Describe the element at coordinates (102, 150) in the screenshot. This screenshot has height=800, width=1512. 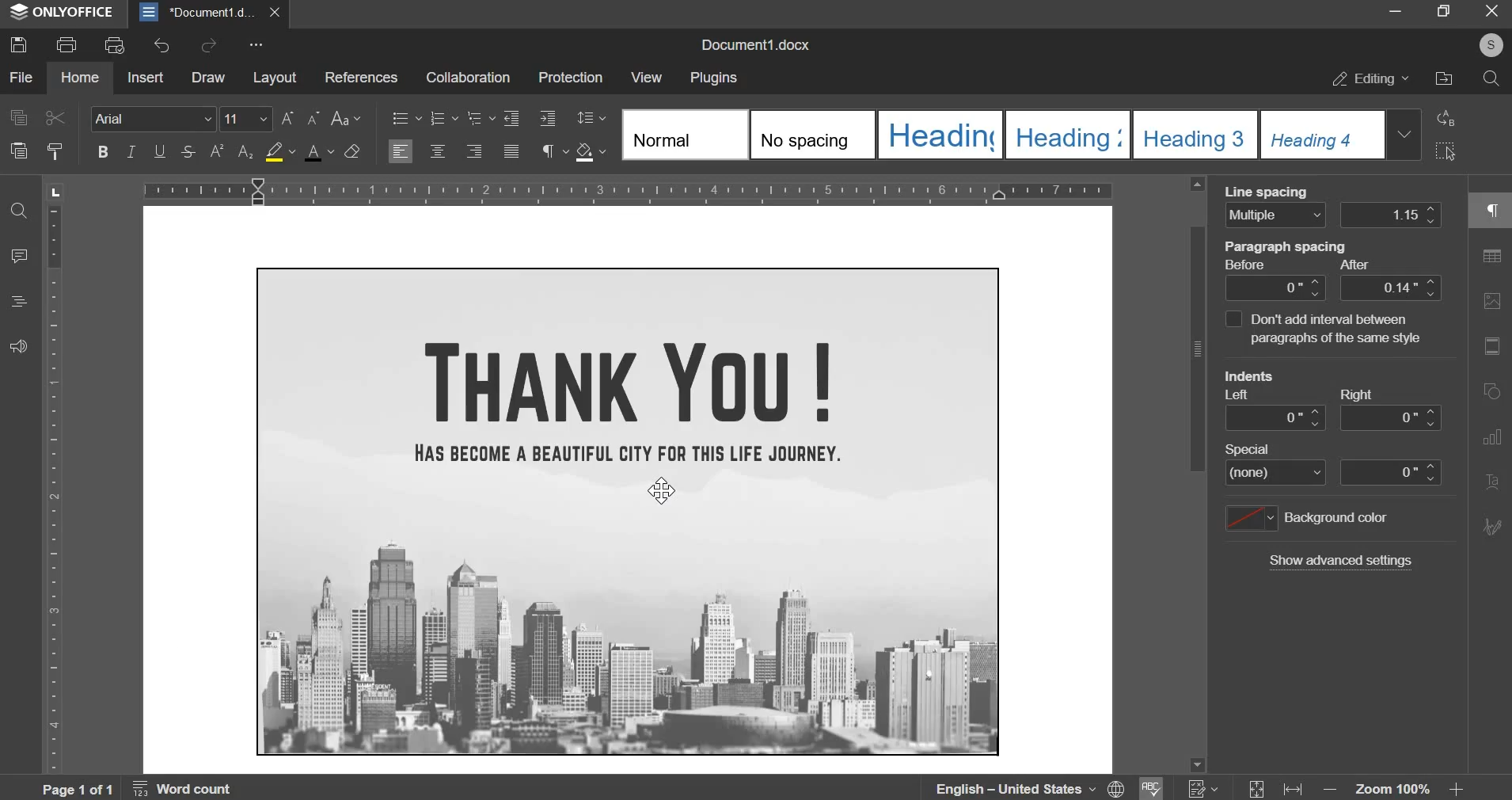
I see `bold` at that location.